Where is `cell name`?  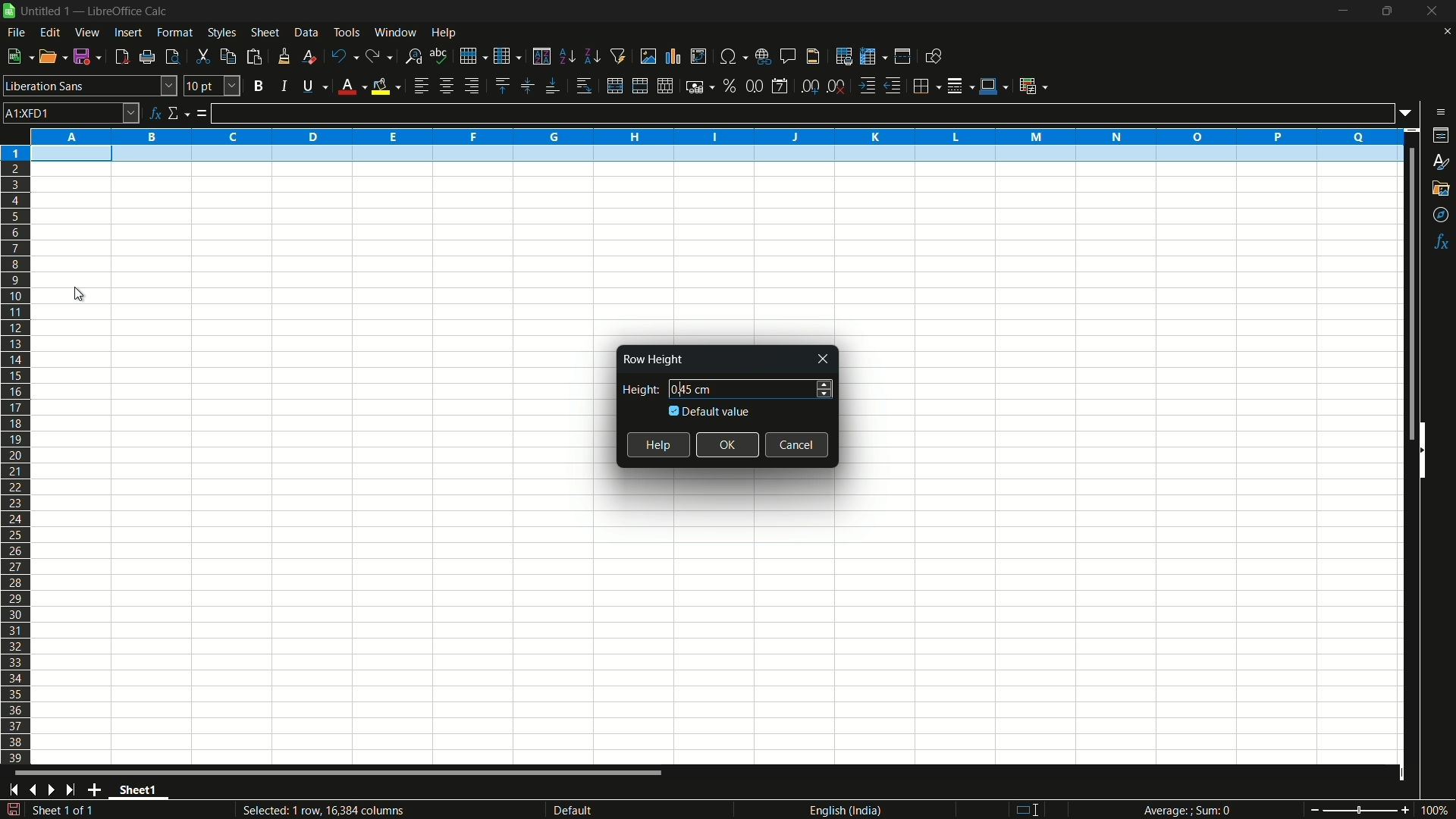 cell name is located at coordinates (71, 112).